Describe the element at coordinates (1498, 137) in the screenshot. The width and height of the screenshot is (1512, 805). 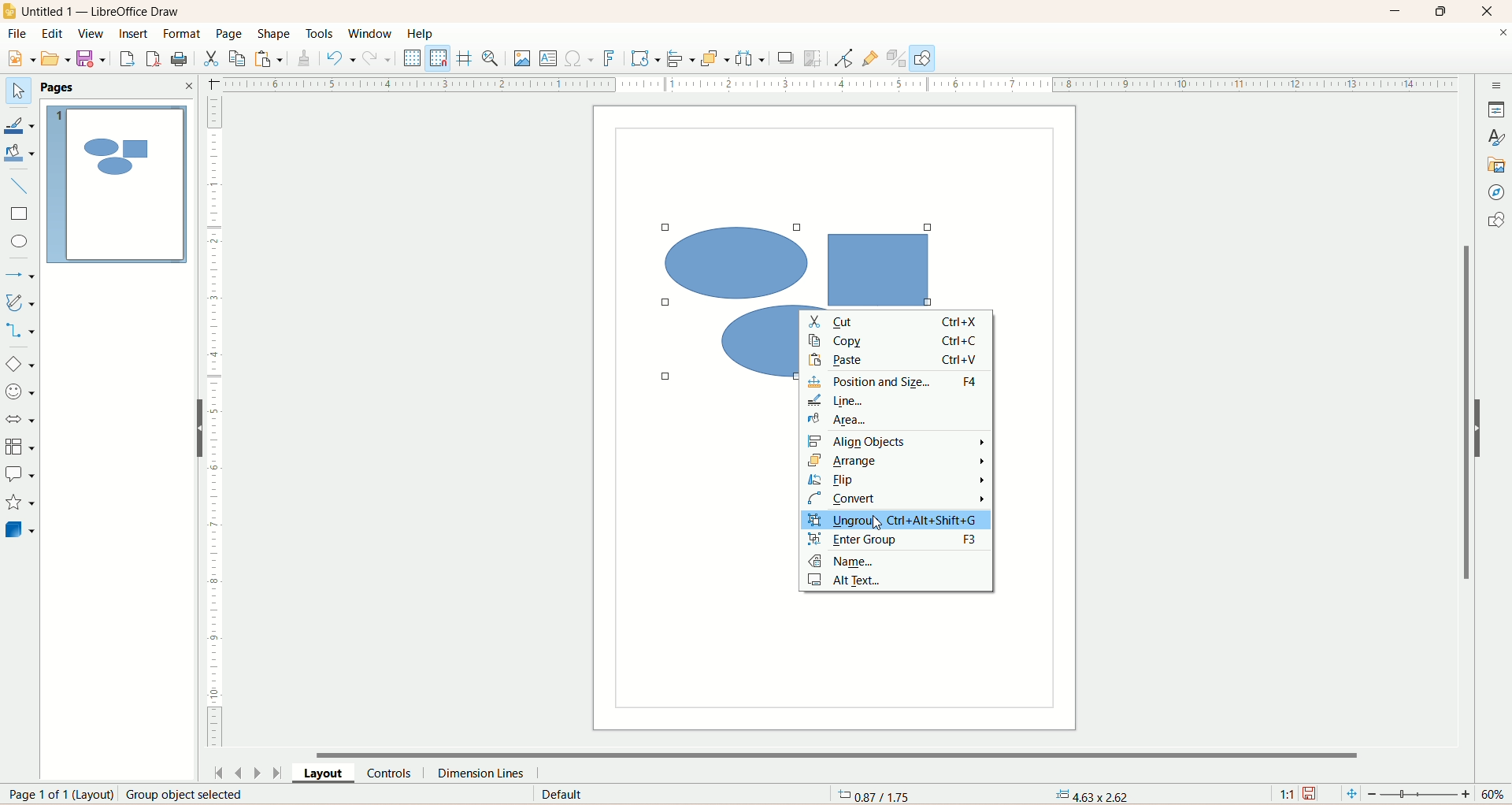
I see `styles` at that location.